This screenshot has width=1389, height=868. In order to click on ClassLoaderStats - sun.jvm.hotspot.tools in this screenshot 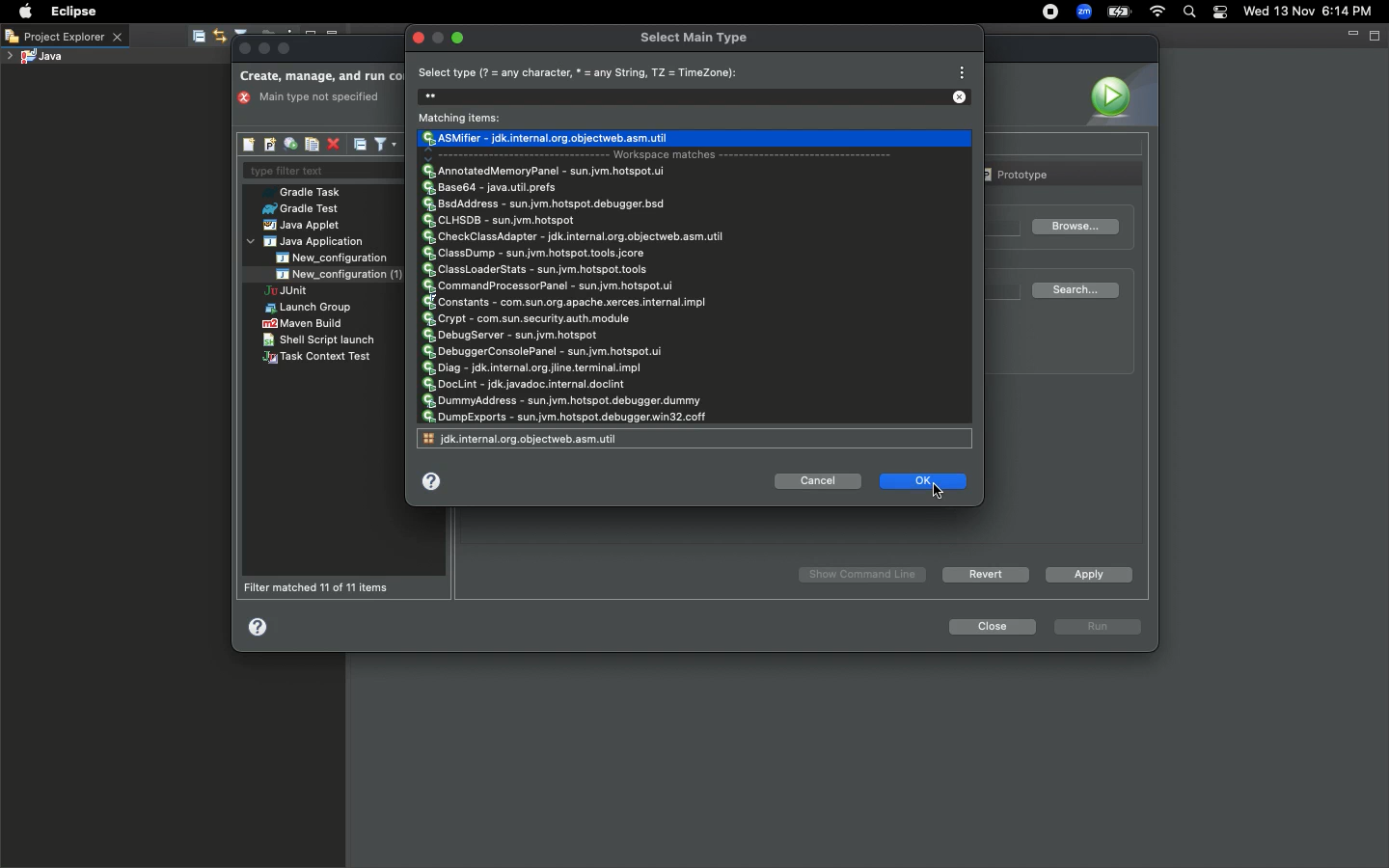, I will do `click(537, 269)`.